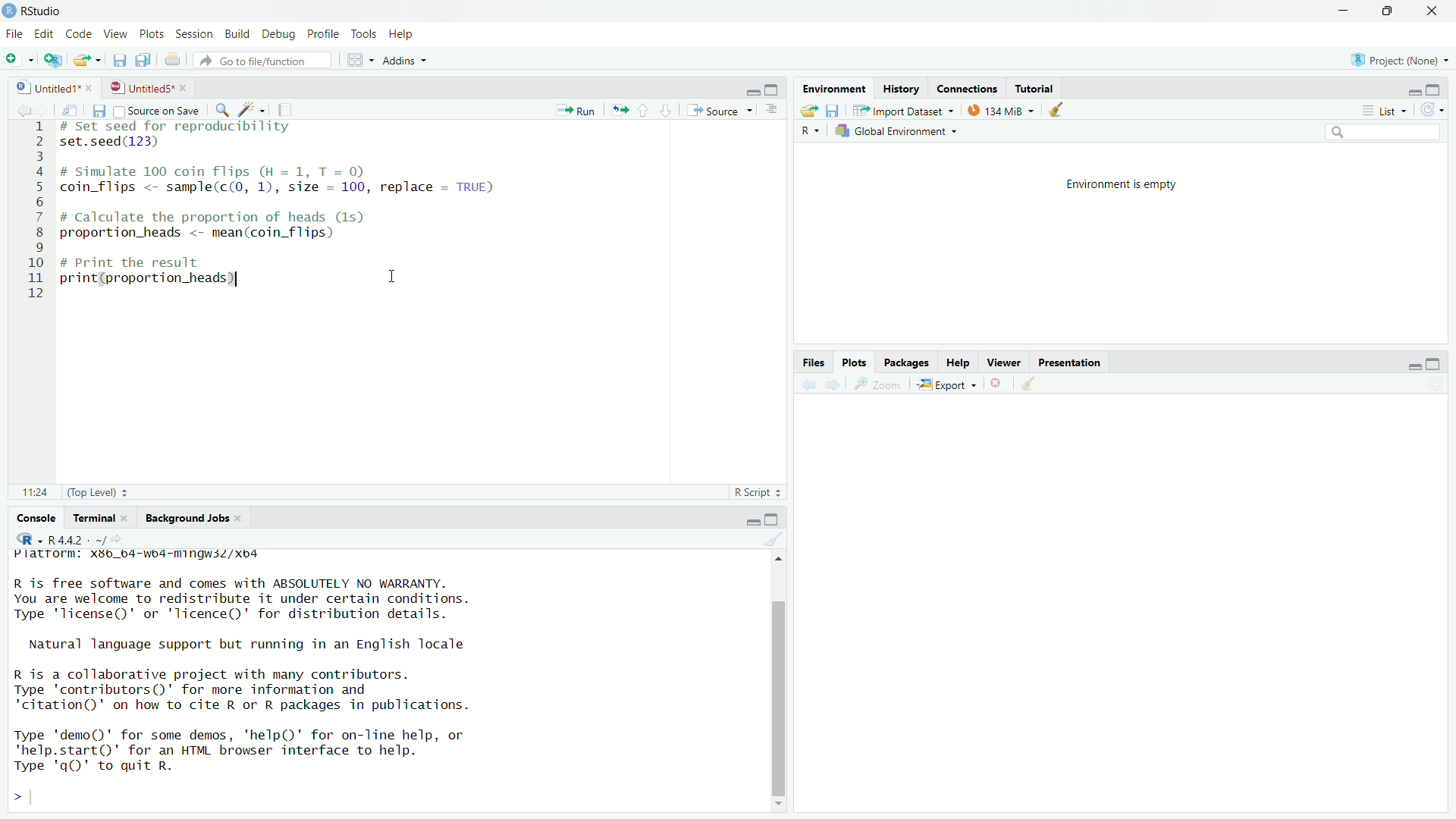 The width and height of the screenshot is (1456, 819). I want to click on go forward to the next source location, so click(43, 108).